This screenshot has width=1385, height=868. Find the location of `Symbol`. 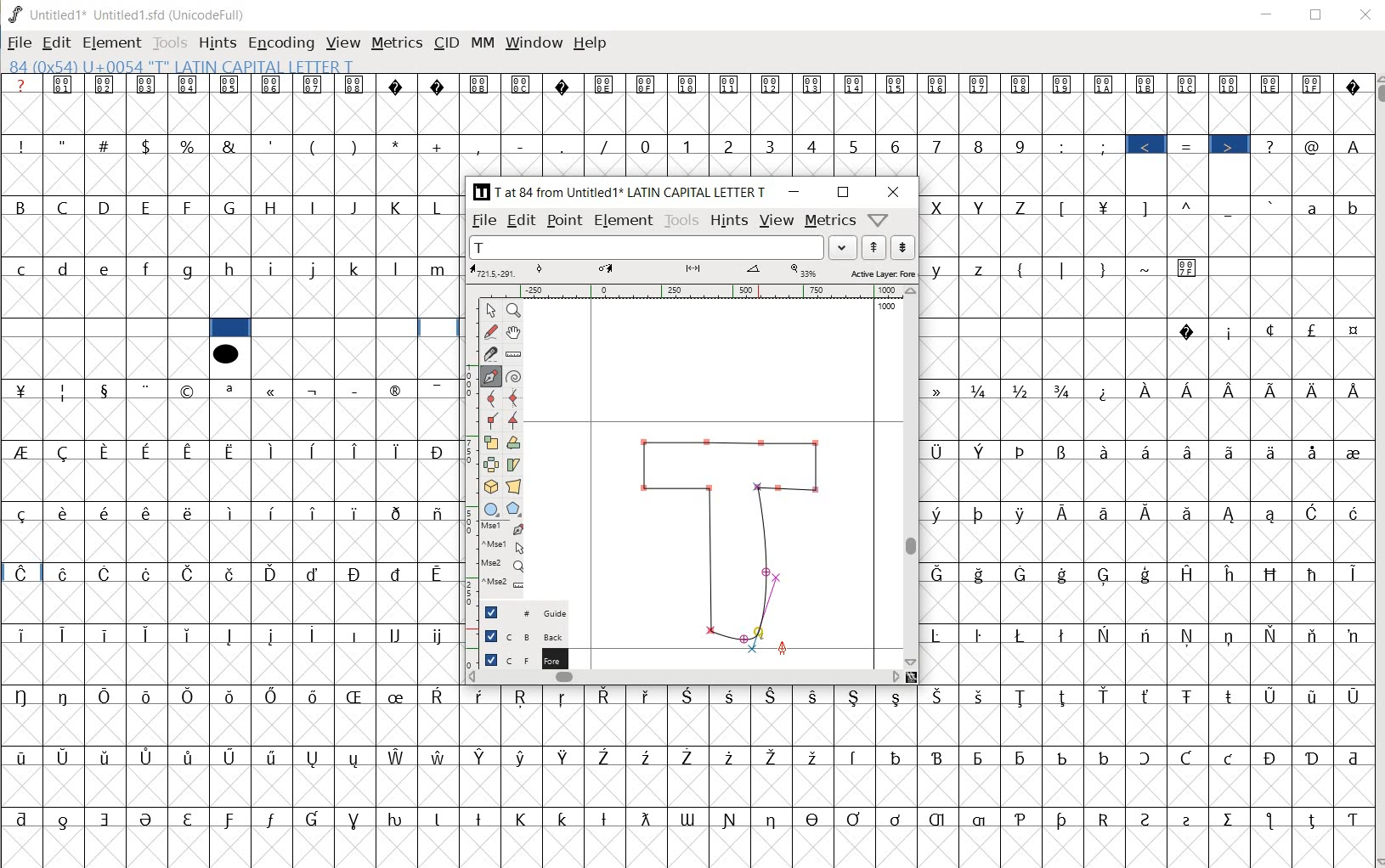

Symbol is located at coordinates (1274, 573).